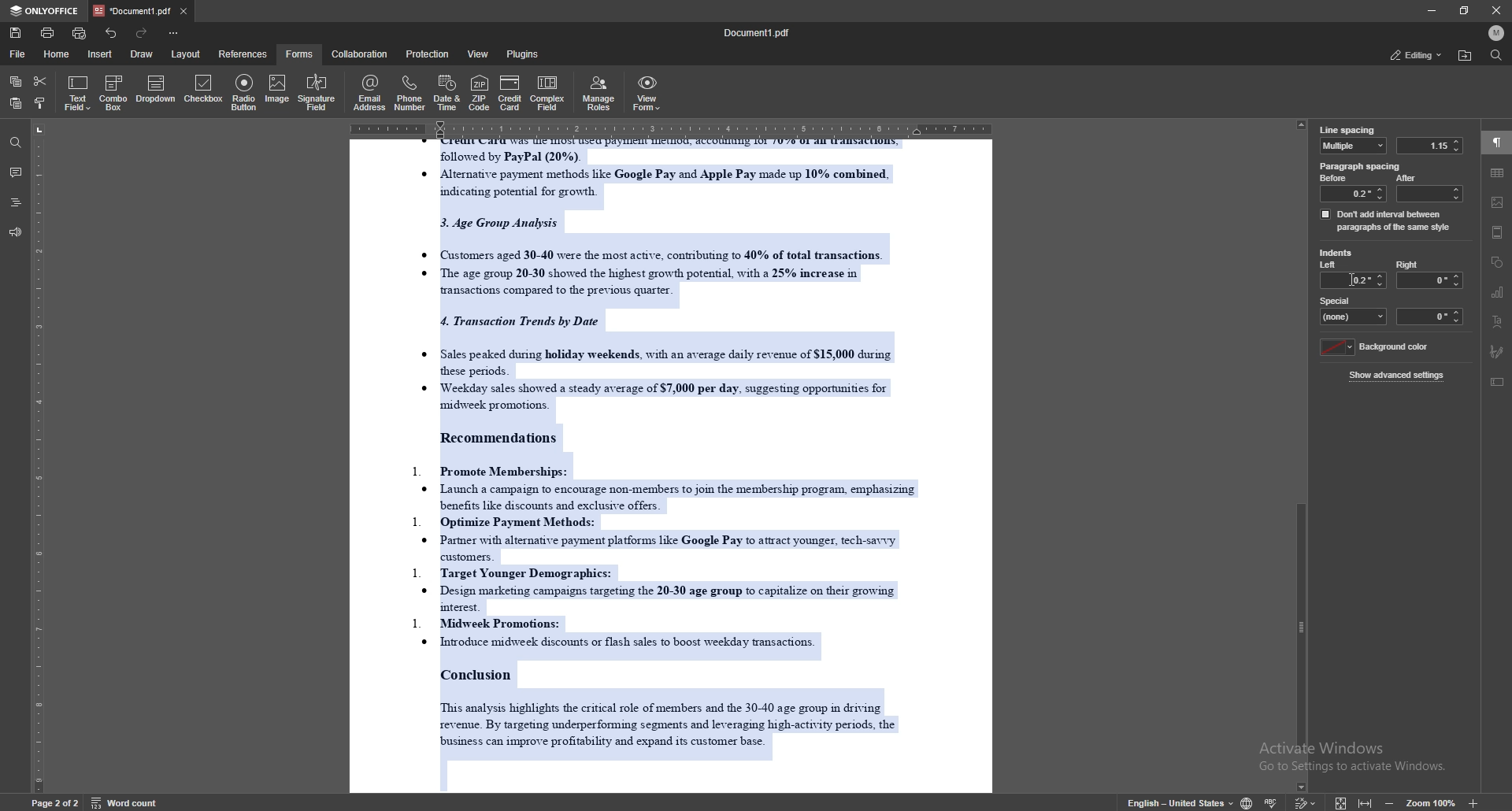 This screenshot has height=811, width=1512. I want to click on dropdown, so click(156, 91).